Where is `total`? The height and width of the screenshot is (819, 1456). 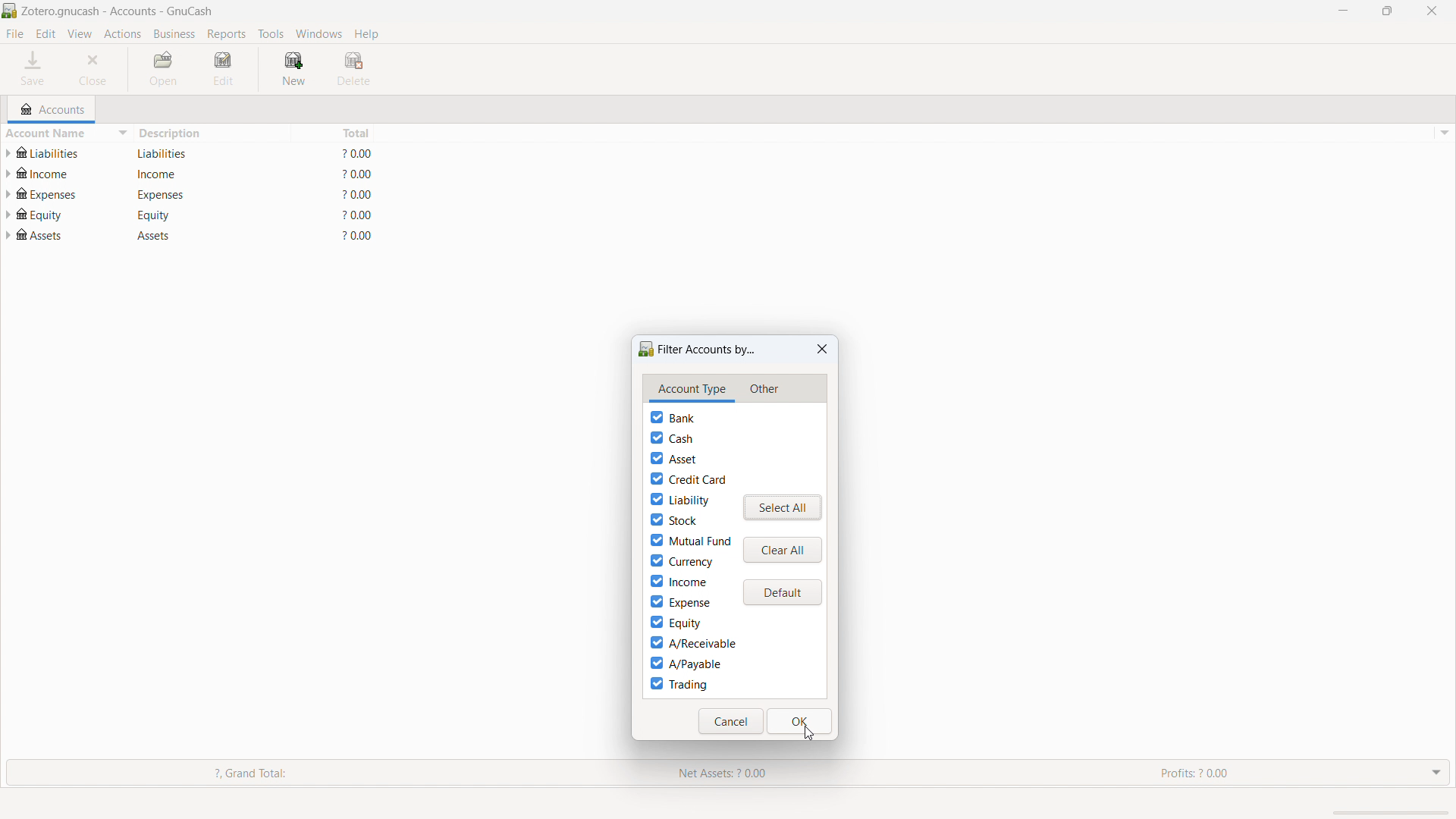
total is located at coordinates (353, 178).